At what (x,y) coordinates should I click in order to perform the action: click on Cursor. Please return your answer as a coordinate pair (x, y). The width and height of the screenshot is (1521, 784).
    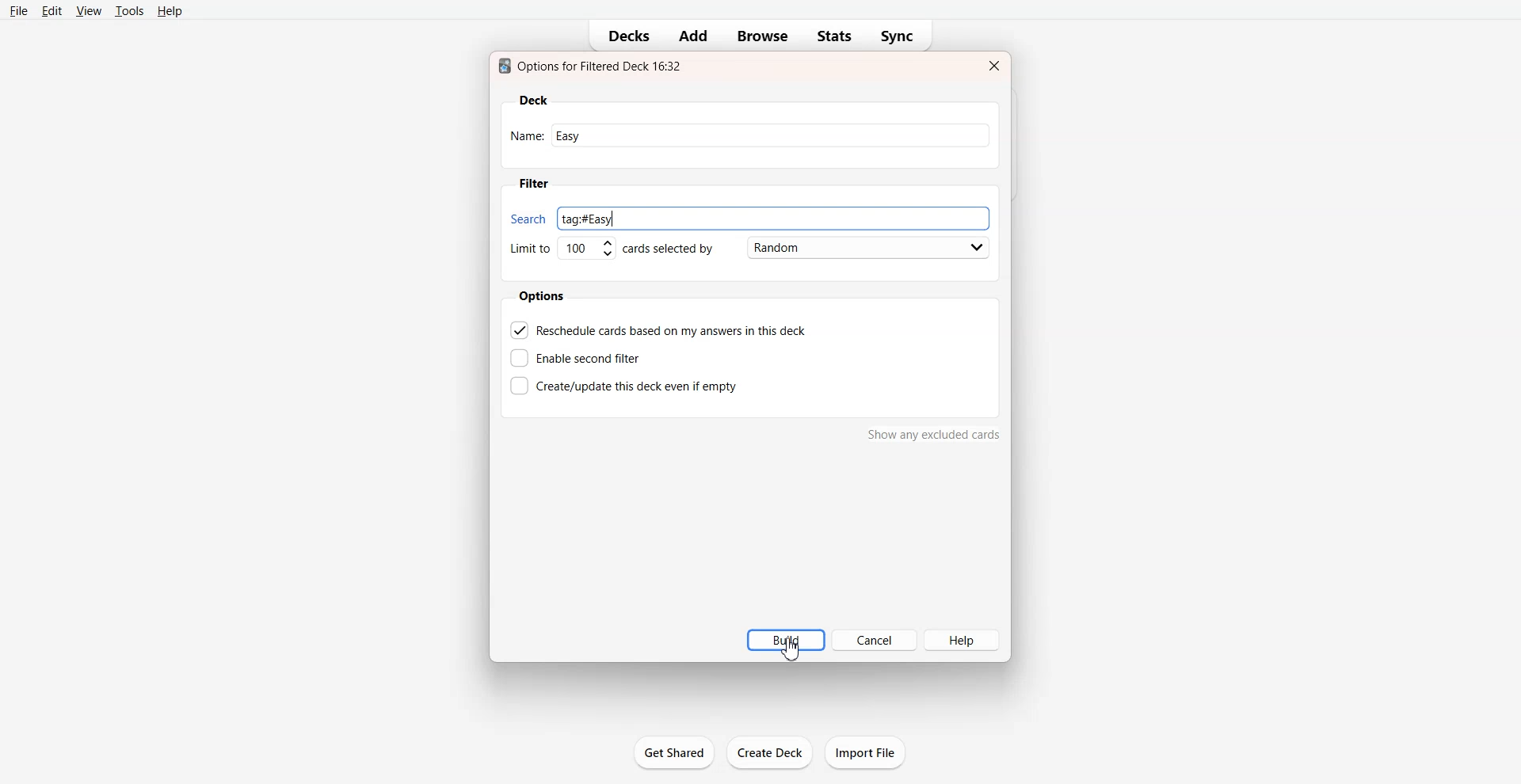
    Looking at the image, I should click on (792, 648).